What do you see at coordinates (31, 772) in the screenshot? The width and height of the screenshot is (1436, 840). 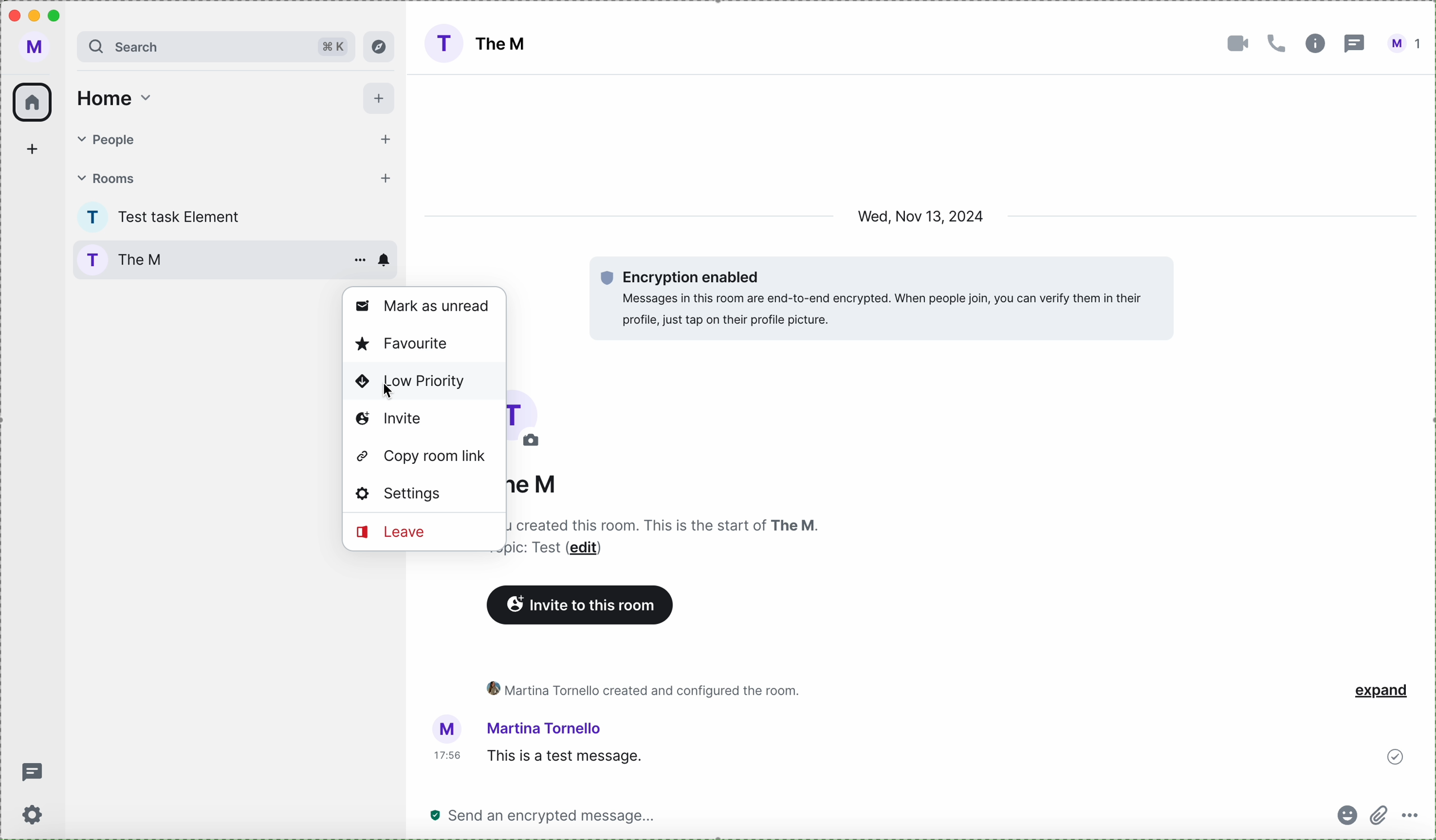 I see `threads` at bounding box center [31, 772].